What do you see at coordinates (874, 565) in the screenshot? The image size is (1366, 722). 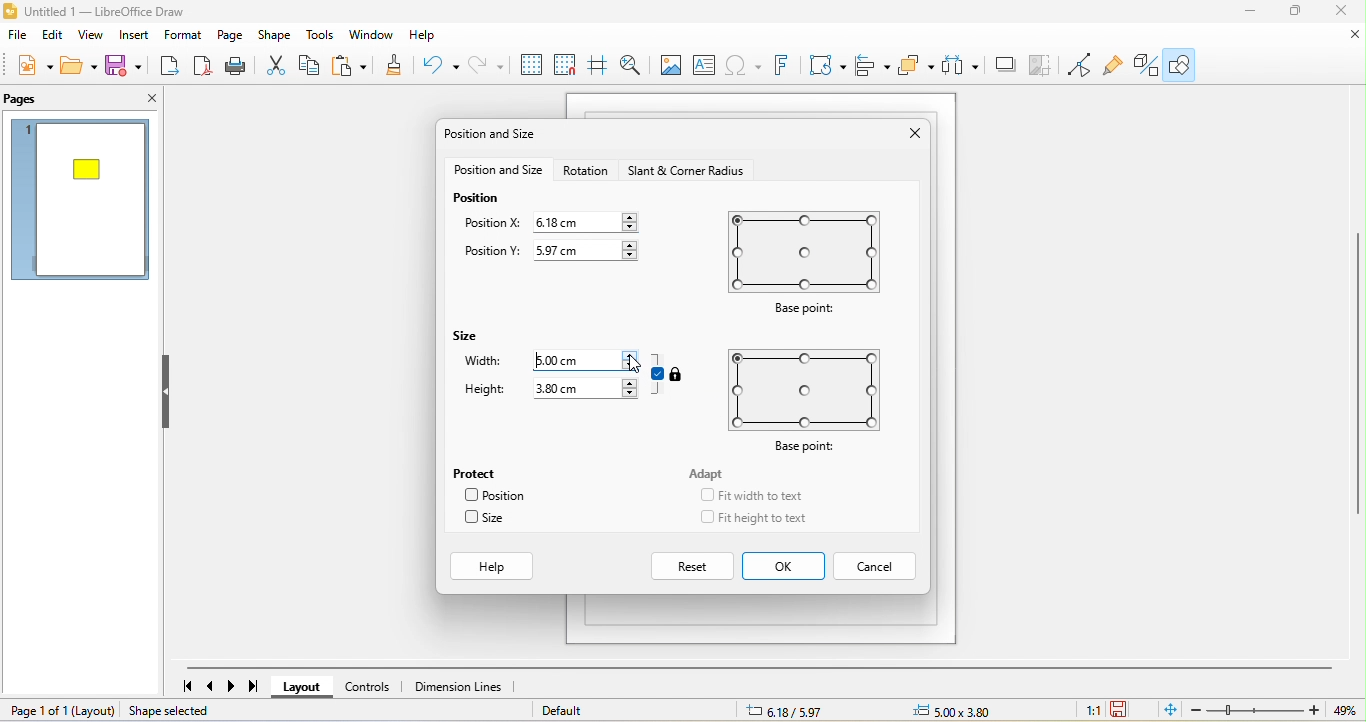 I see `cancel` at bounding box center [874, 565].